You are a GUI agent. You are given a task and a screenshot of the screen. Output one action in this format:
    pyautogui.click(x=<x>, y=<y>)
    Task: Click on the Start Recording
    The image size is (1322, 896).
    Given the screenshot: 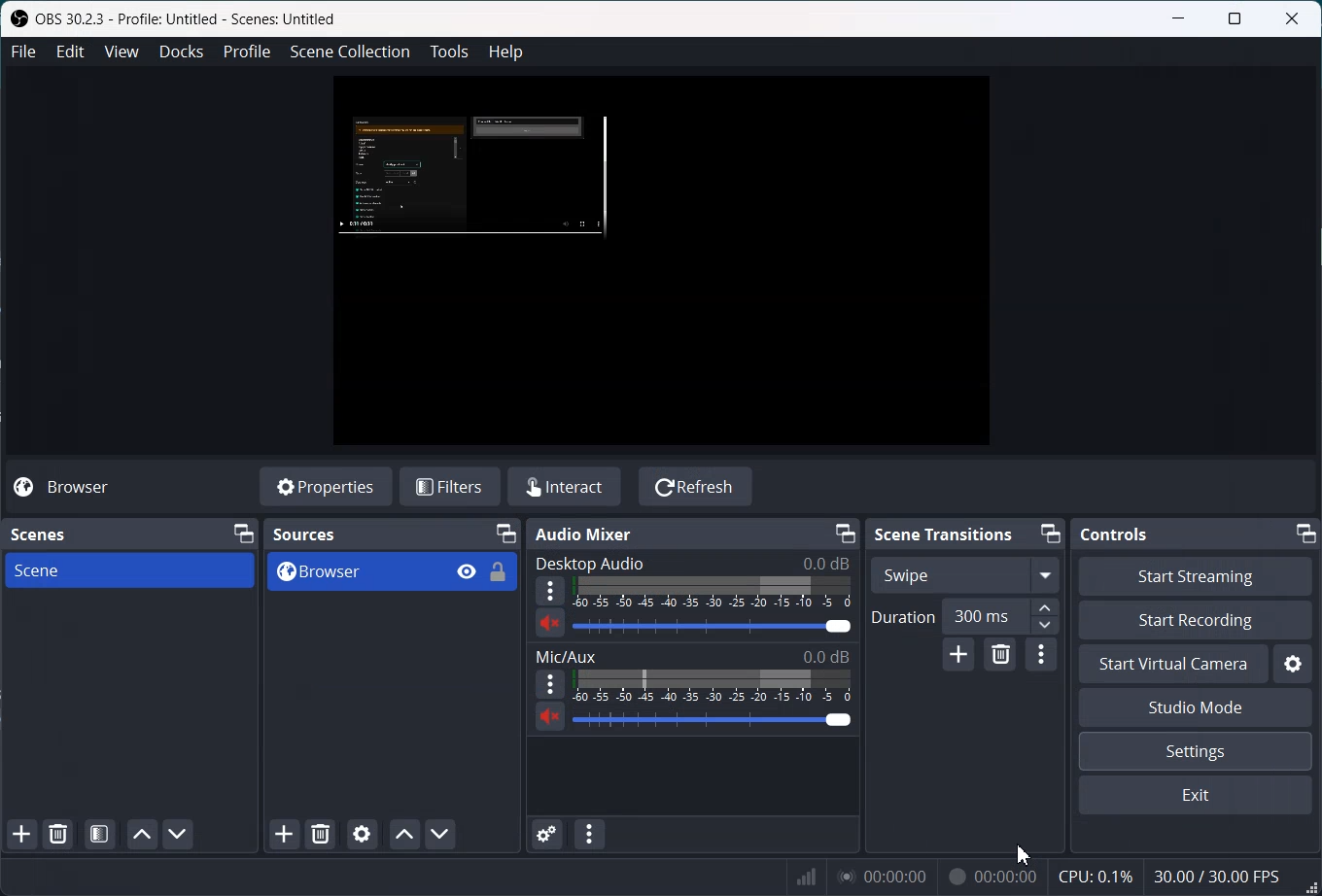 What is the action you would take?
    pyautogui.click(x=1196, y=621)
    